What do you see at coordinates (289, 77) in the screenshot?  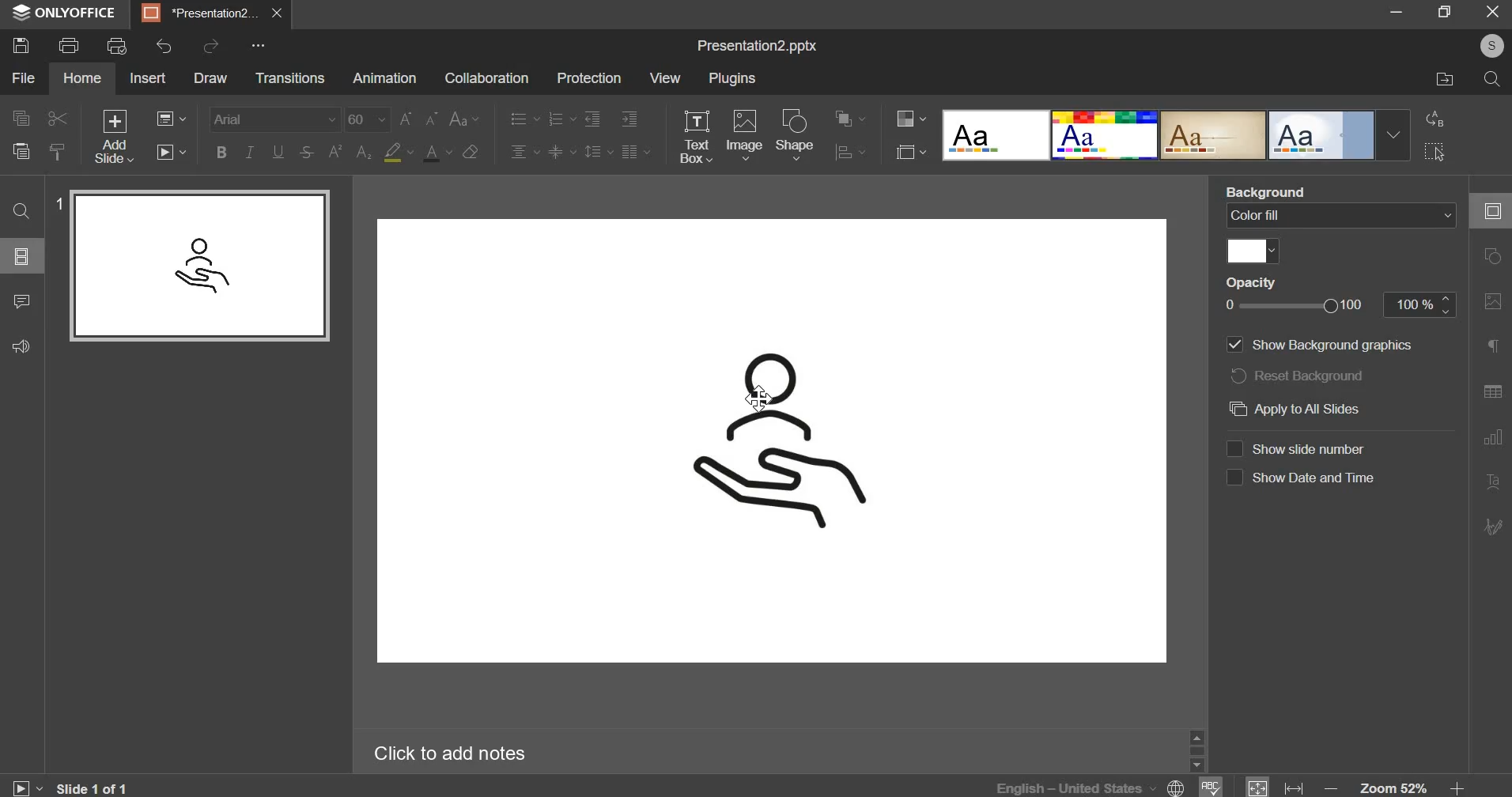 I see `transitions` at bounding box center [289, 77].